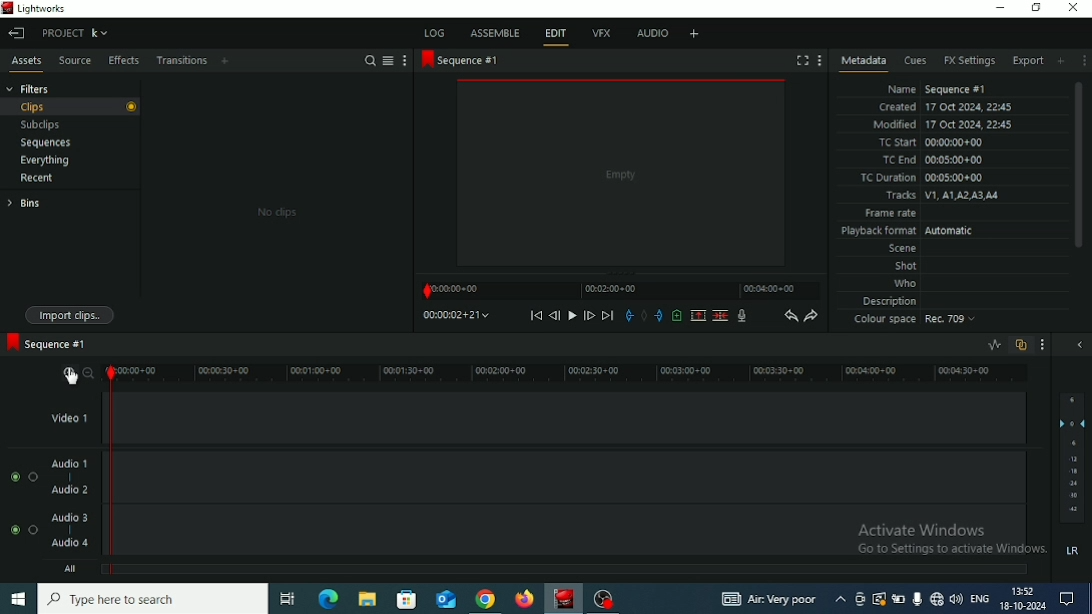 Image resolution: width=1092 pixels, height=614 pixels. Describe the element at coordinates (862, 63) in the screenshot. I see `Metadata` at that location.